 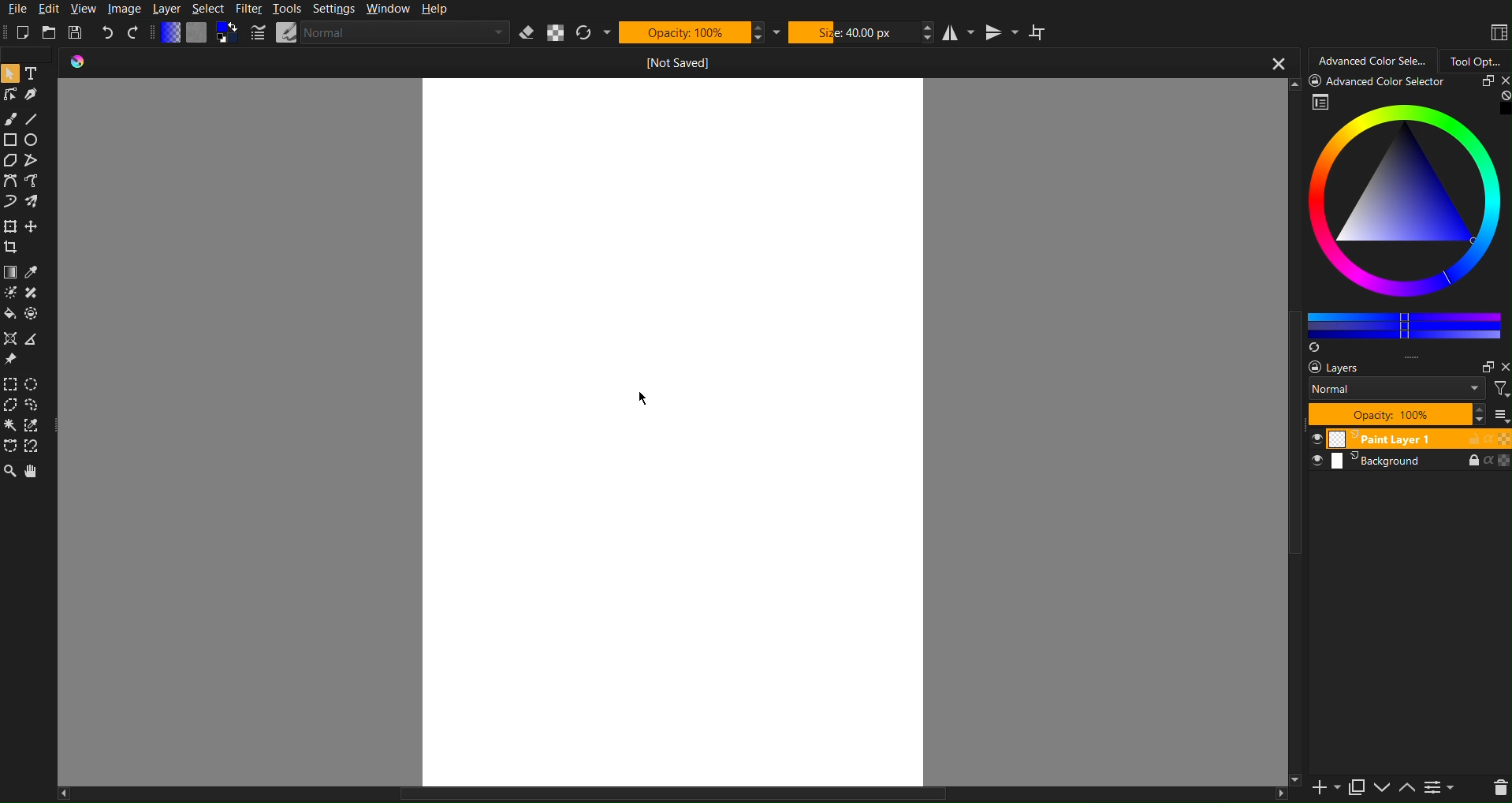 What do you see at coordinates (1503, 461) in the screenshot?
I see `opacity` at bounding box center [1503, 461].